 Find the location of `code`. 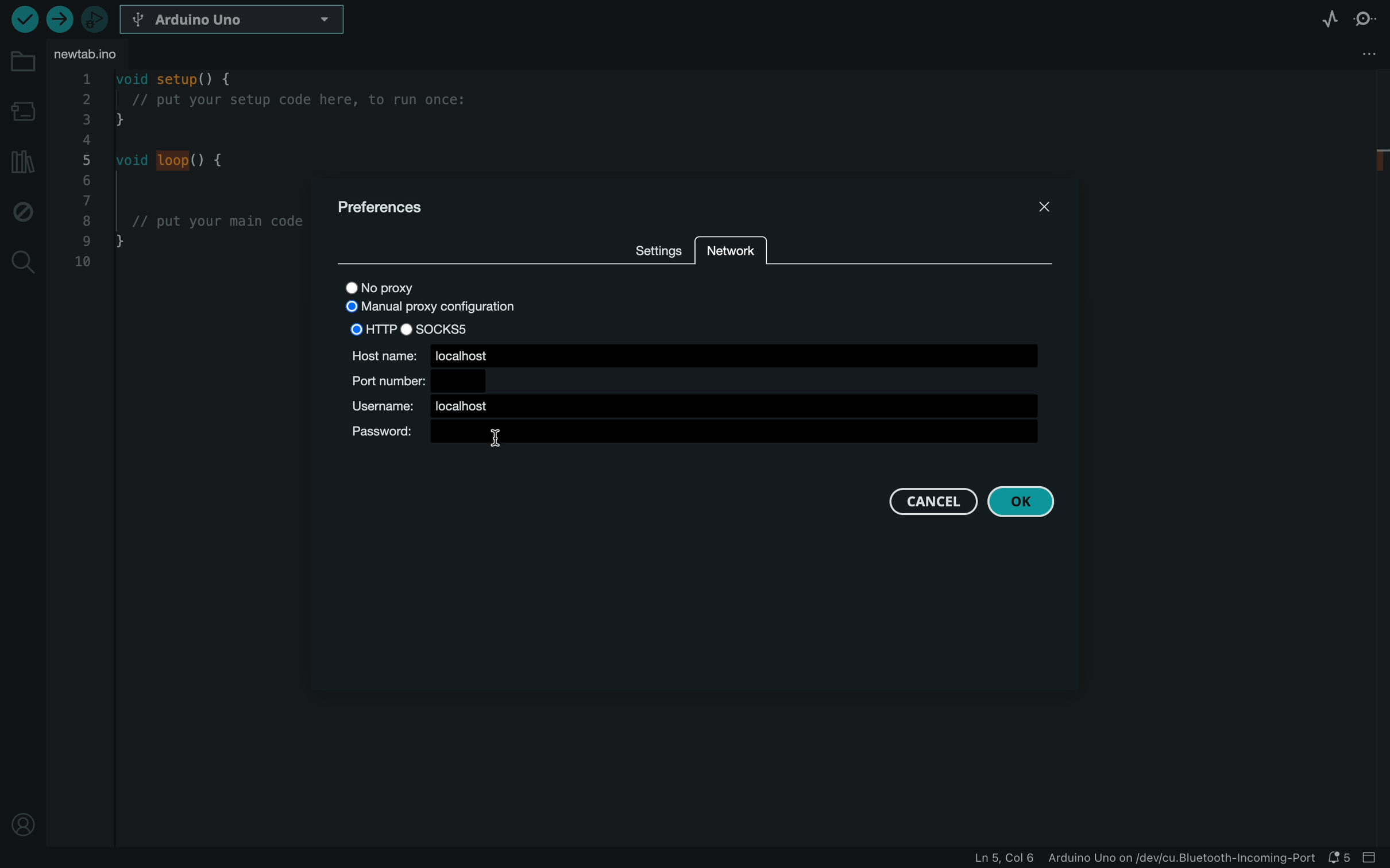

code is located at coordinates (183, 177).